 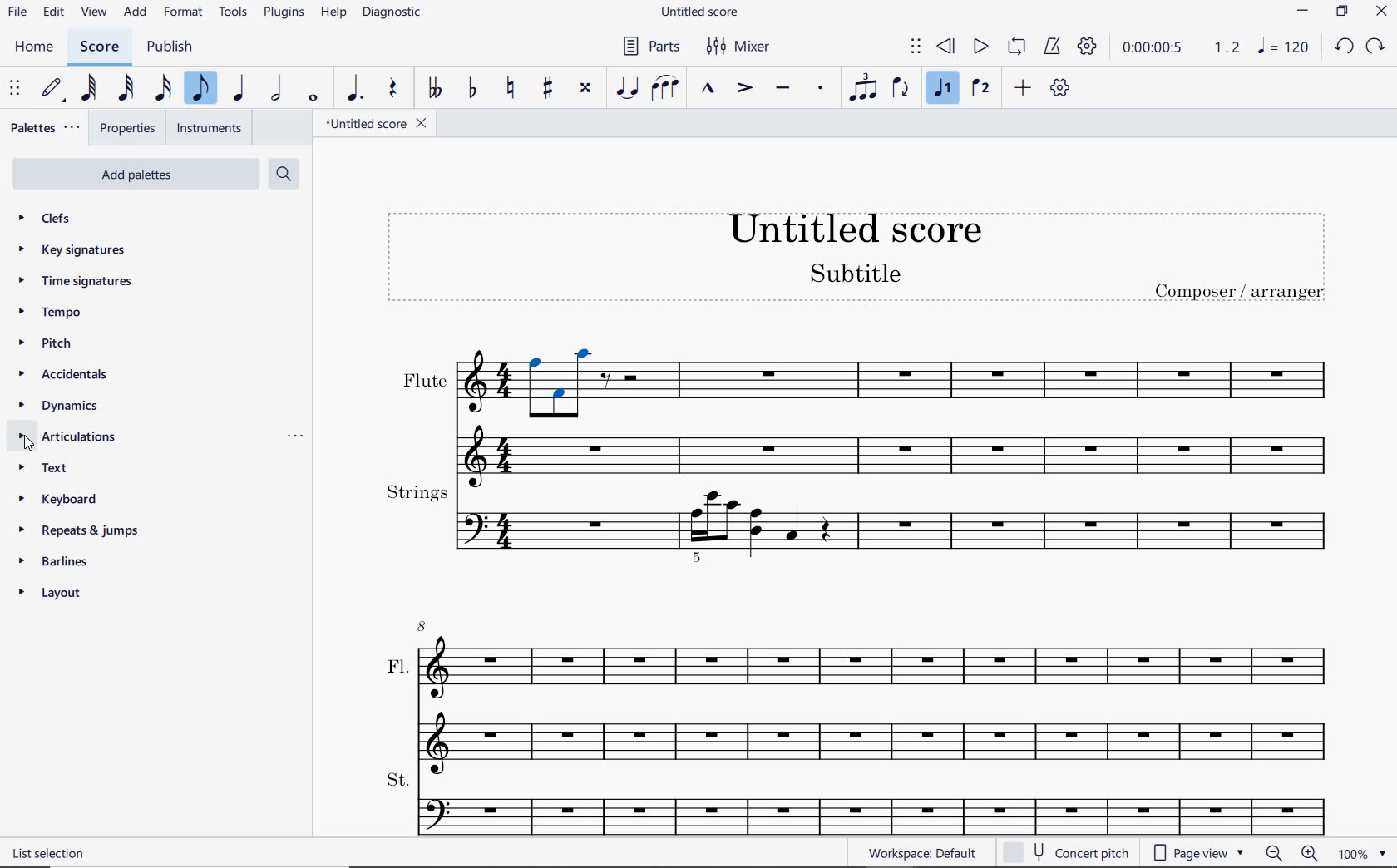 What do you see at coordinates (1024, 88) in the screenshot?
I see `ADD` at bounding box center [1024, 88].